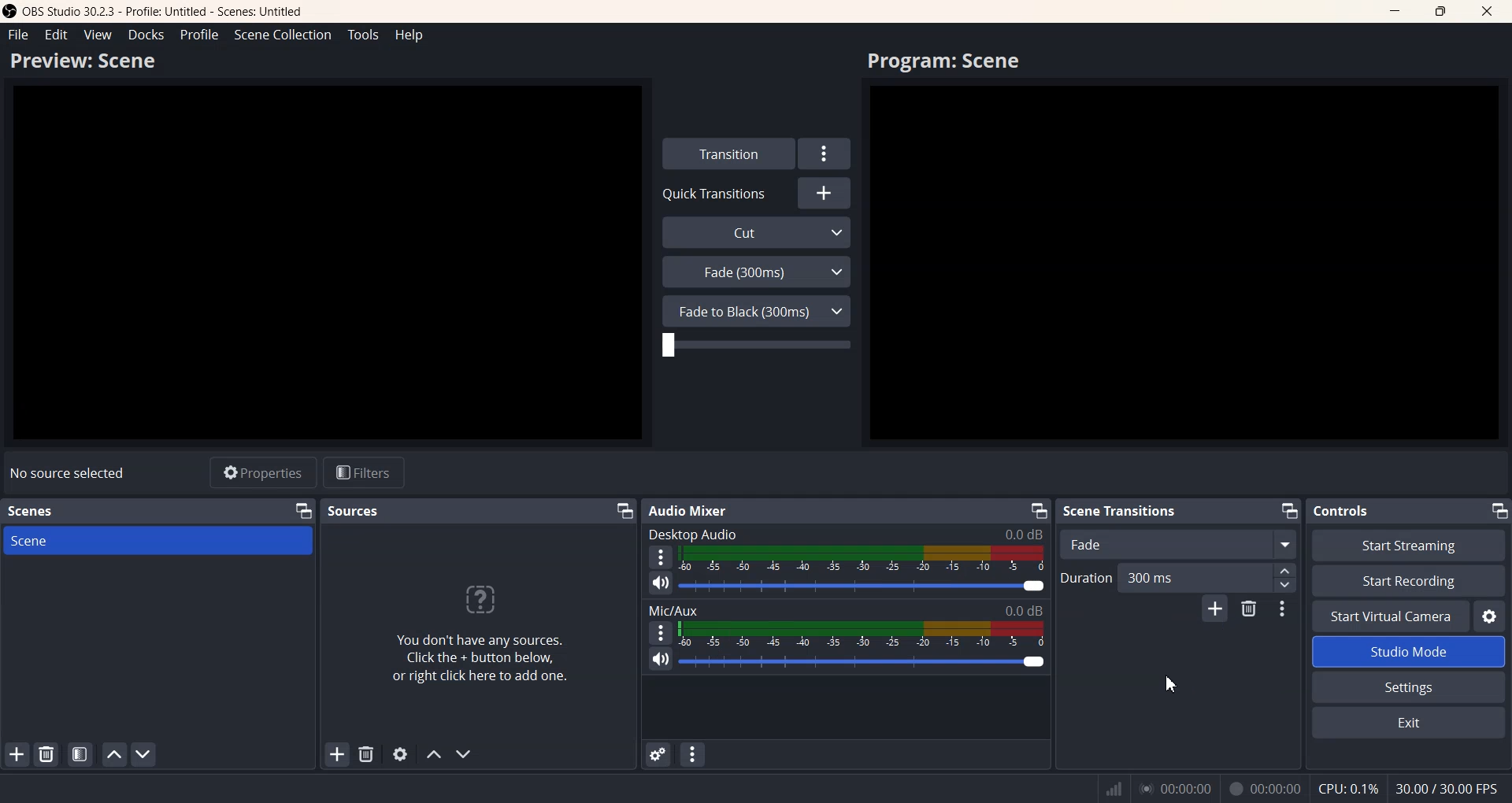 Image resolution: width=1512 pixels, height=803 pixels. Describe the element at coordinates (1288, 512) in the screenshot. I see `Minimize` at that location.